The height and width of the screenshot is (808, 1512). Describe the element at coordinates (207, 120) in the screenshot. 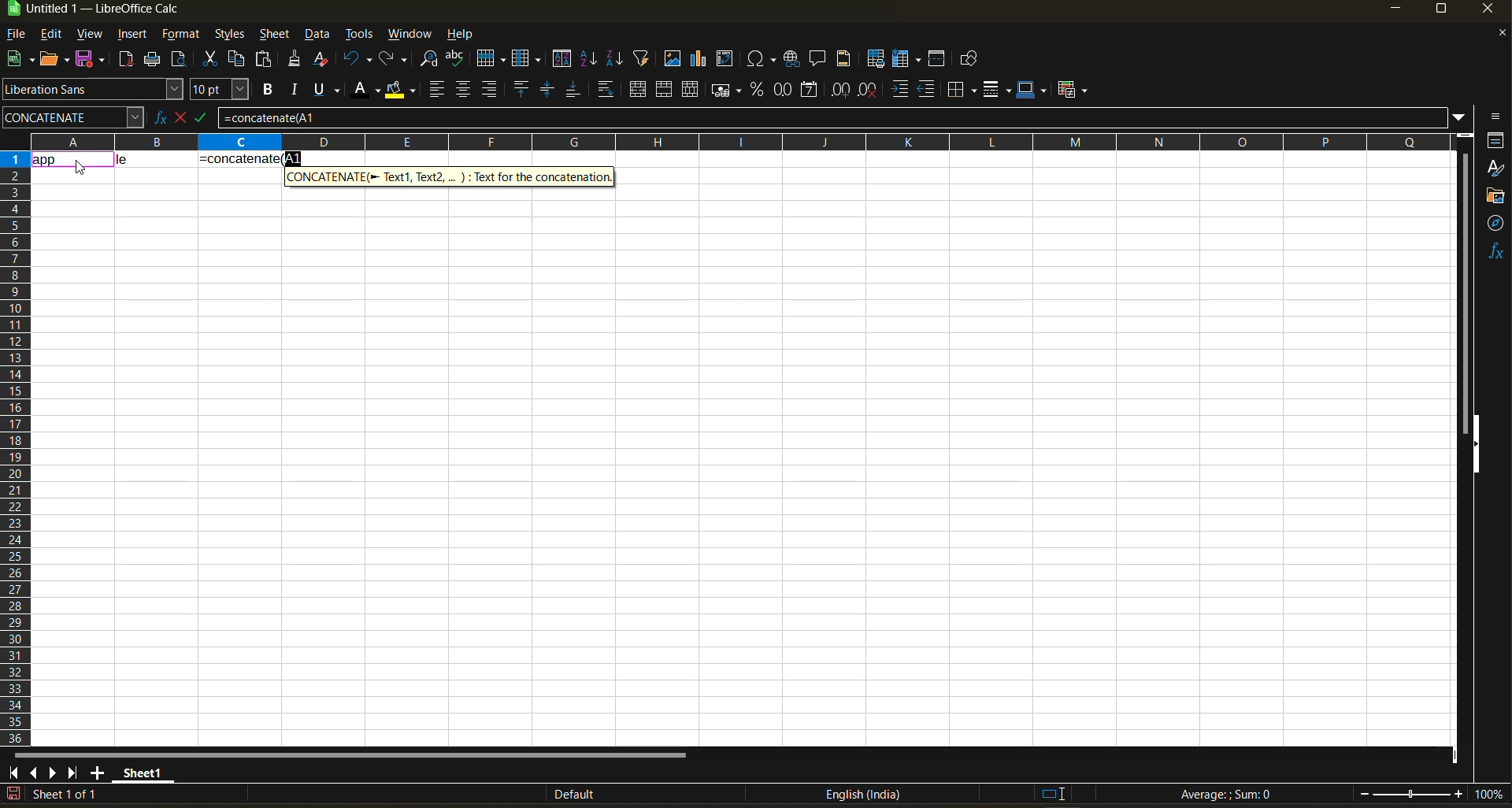

I see `formula` at that location.